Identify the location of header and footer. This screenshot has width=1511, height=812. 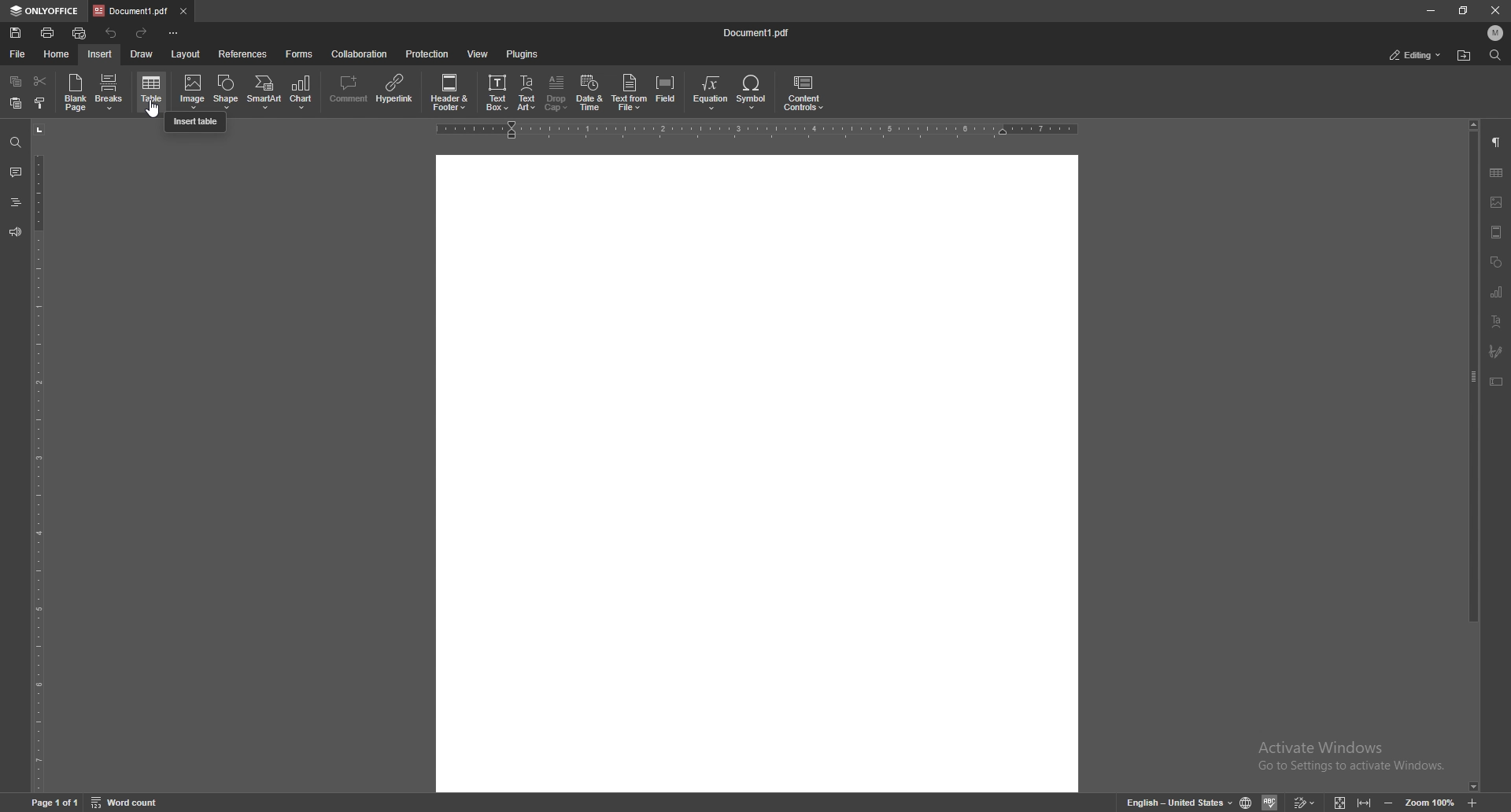
(451, 93).